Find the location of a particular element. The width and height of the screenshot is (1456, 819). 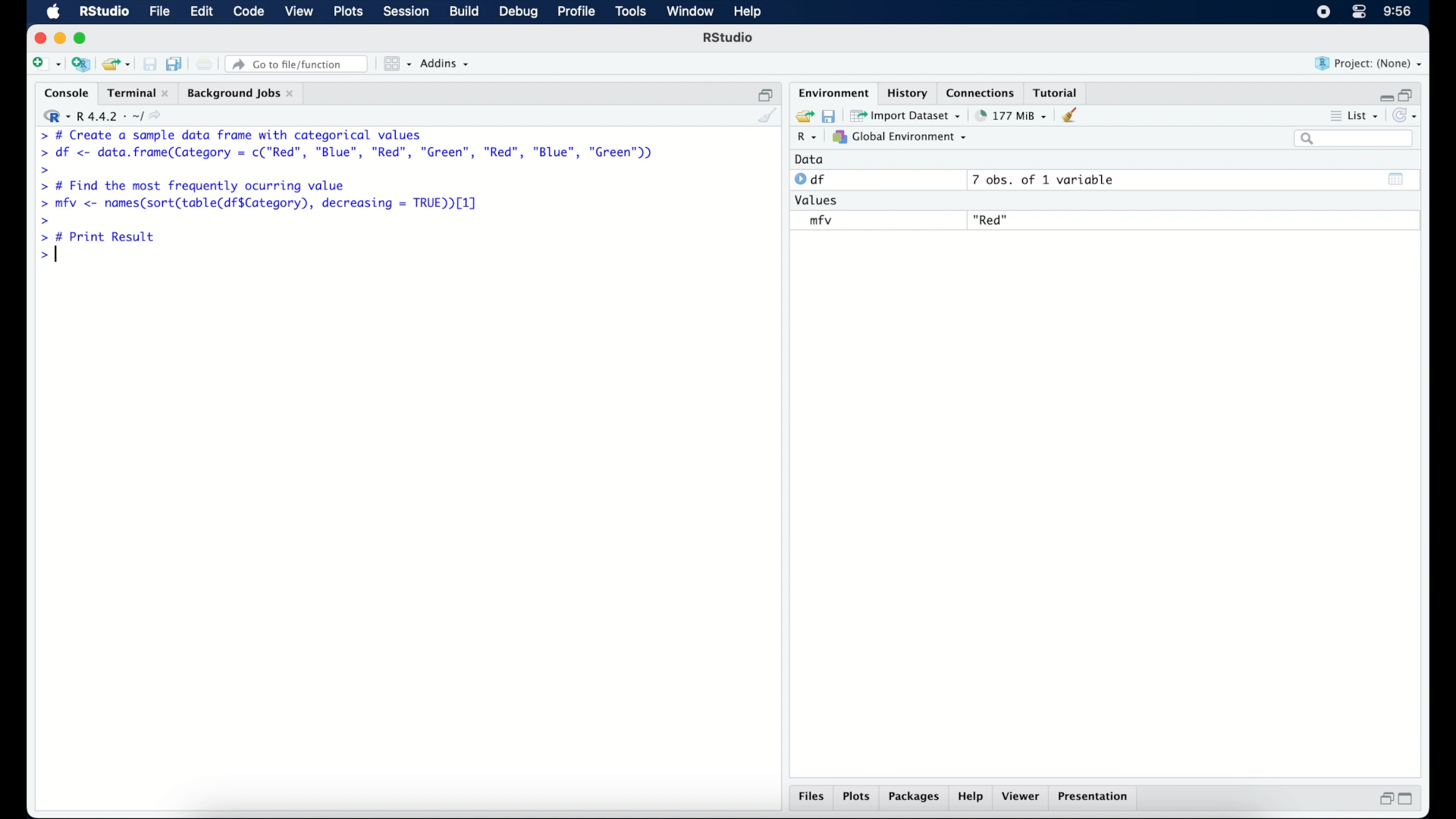

background jobs is located at coordinates (243, 93).